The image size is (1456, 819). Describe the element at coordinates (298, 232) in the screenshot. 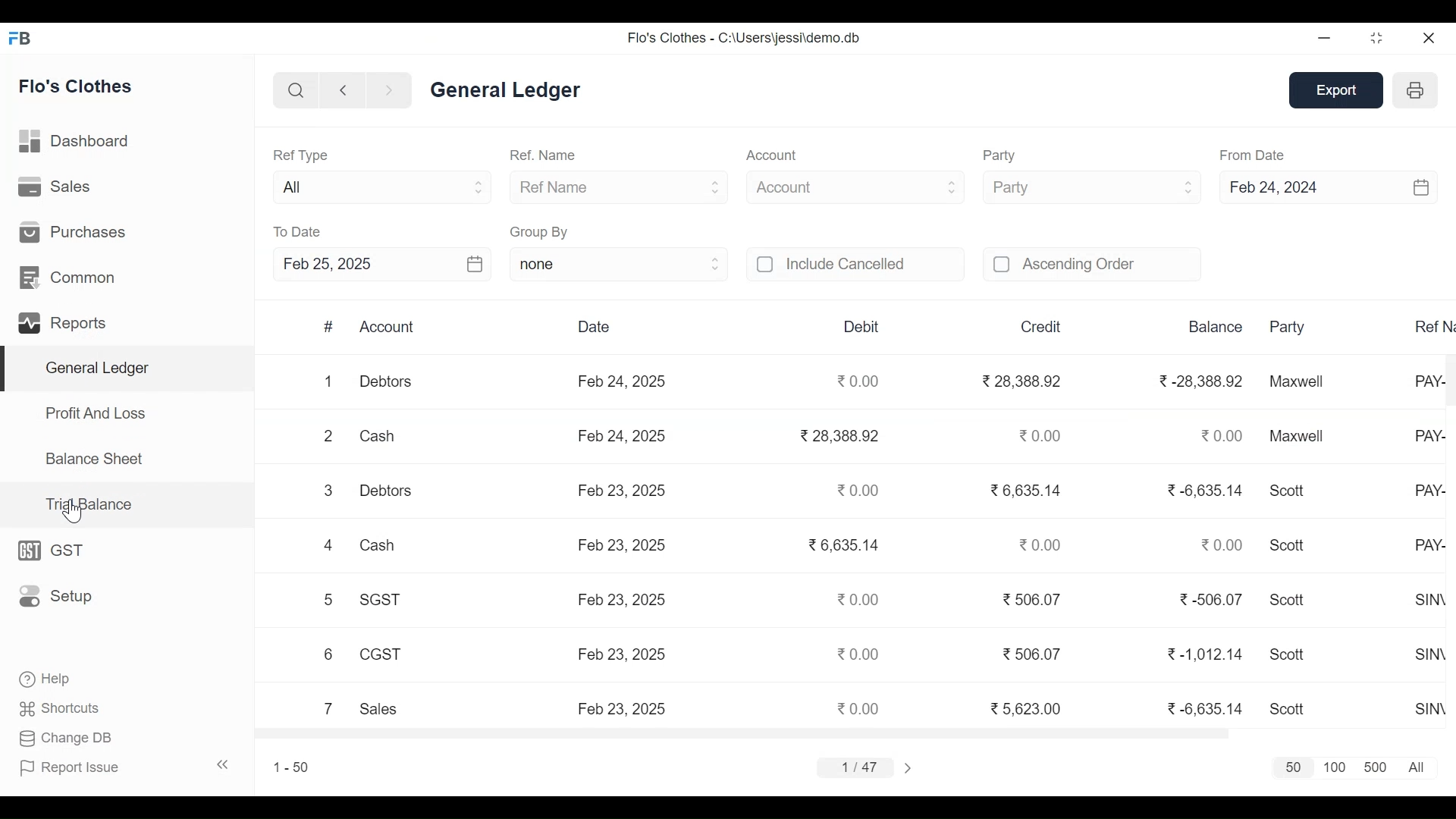

I see `To Date` at that location.